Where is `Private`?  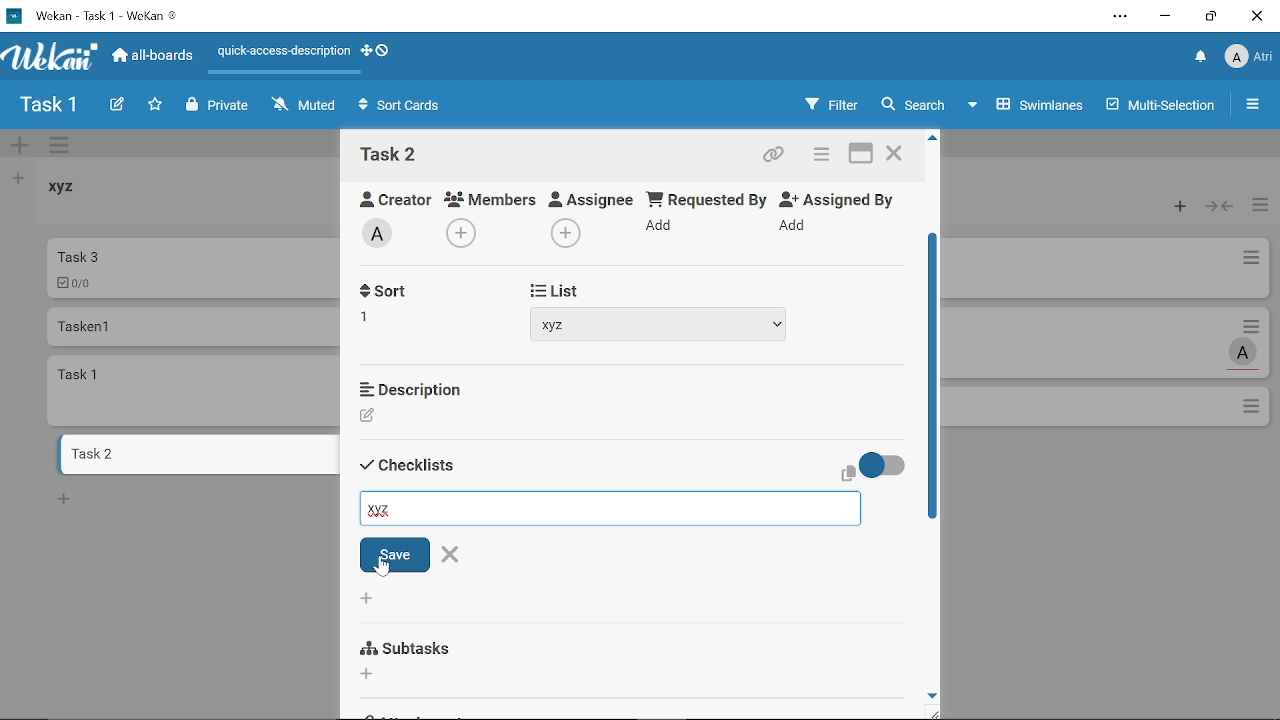 Private is located at coordinates (218, 106).